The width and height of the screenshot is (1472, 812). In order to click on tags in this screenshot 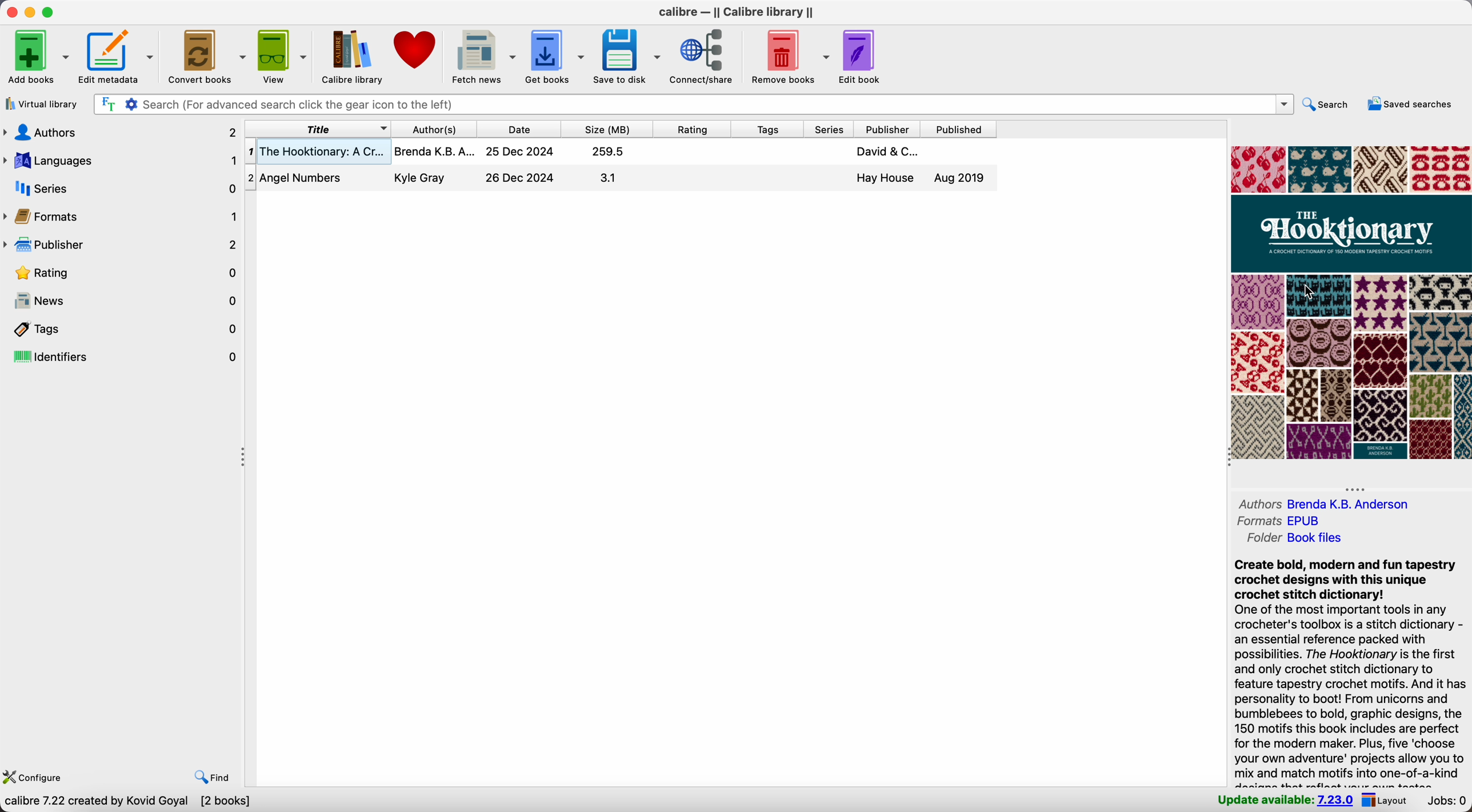, I will do `click(122, 329)`.